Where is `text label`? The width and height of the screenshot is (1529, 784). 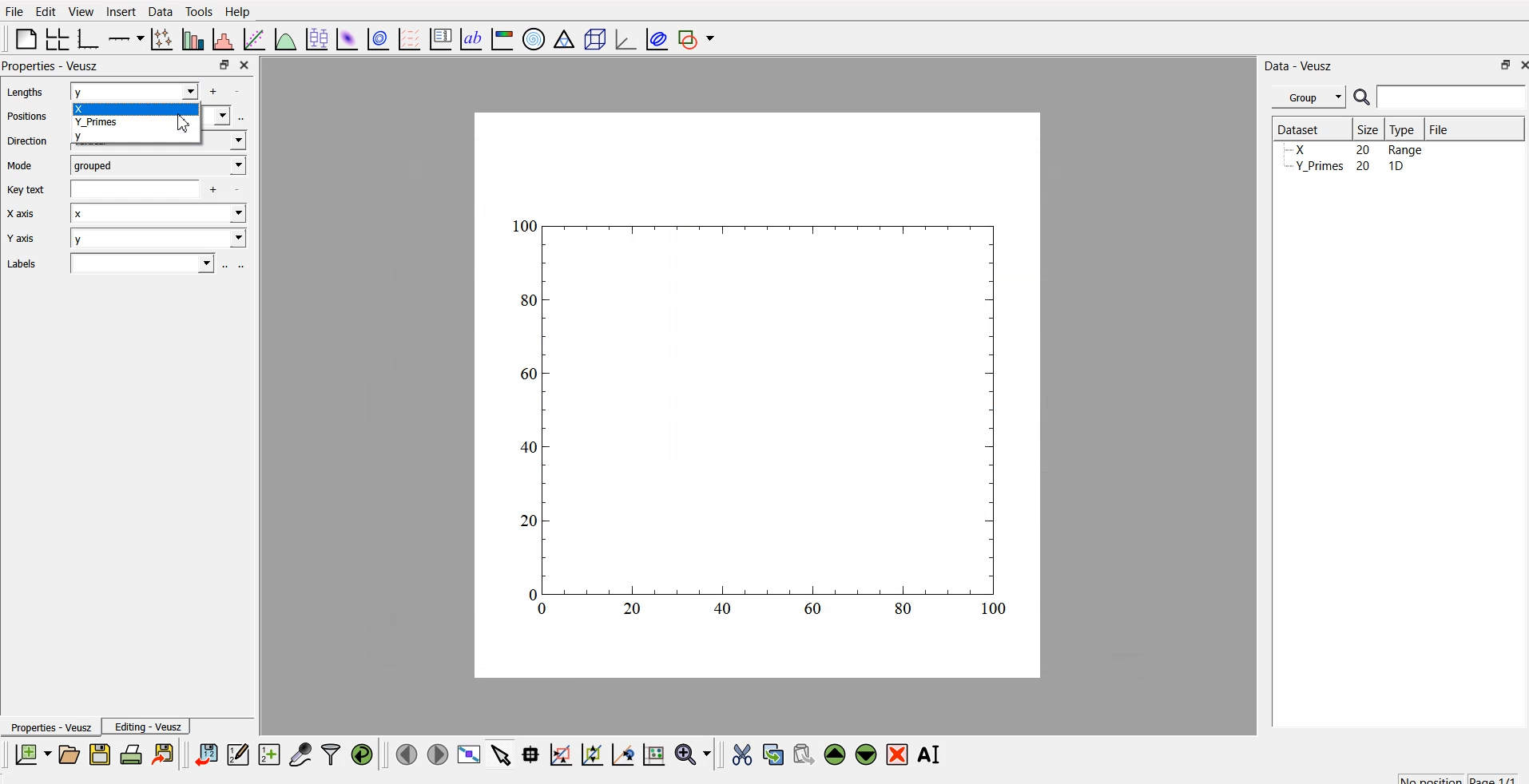
text label is located at coordinates (469, 39).